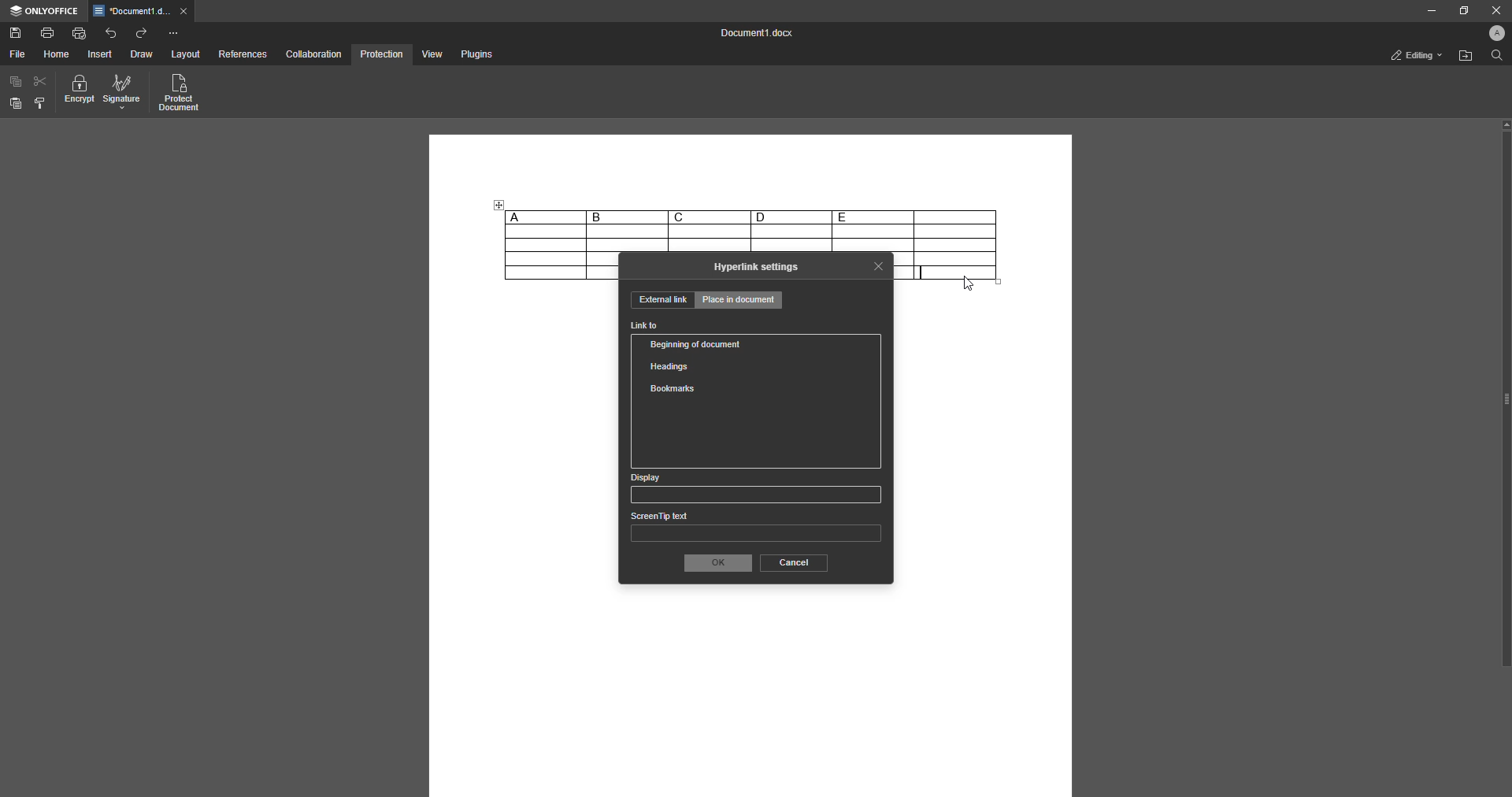 This screenshot has height=797, width=1512. What do you see at coordinates (16, 82) in the screenshot?
I see `Copy` at bounding box center [16, 82].